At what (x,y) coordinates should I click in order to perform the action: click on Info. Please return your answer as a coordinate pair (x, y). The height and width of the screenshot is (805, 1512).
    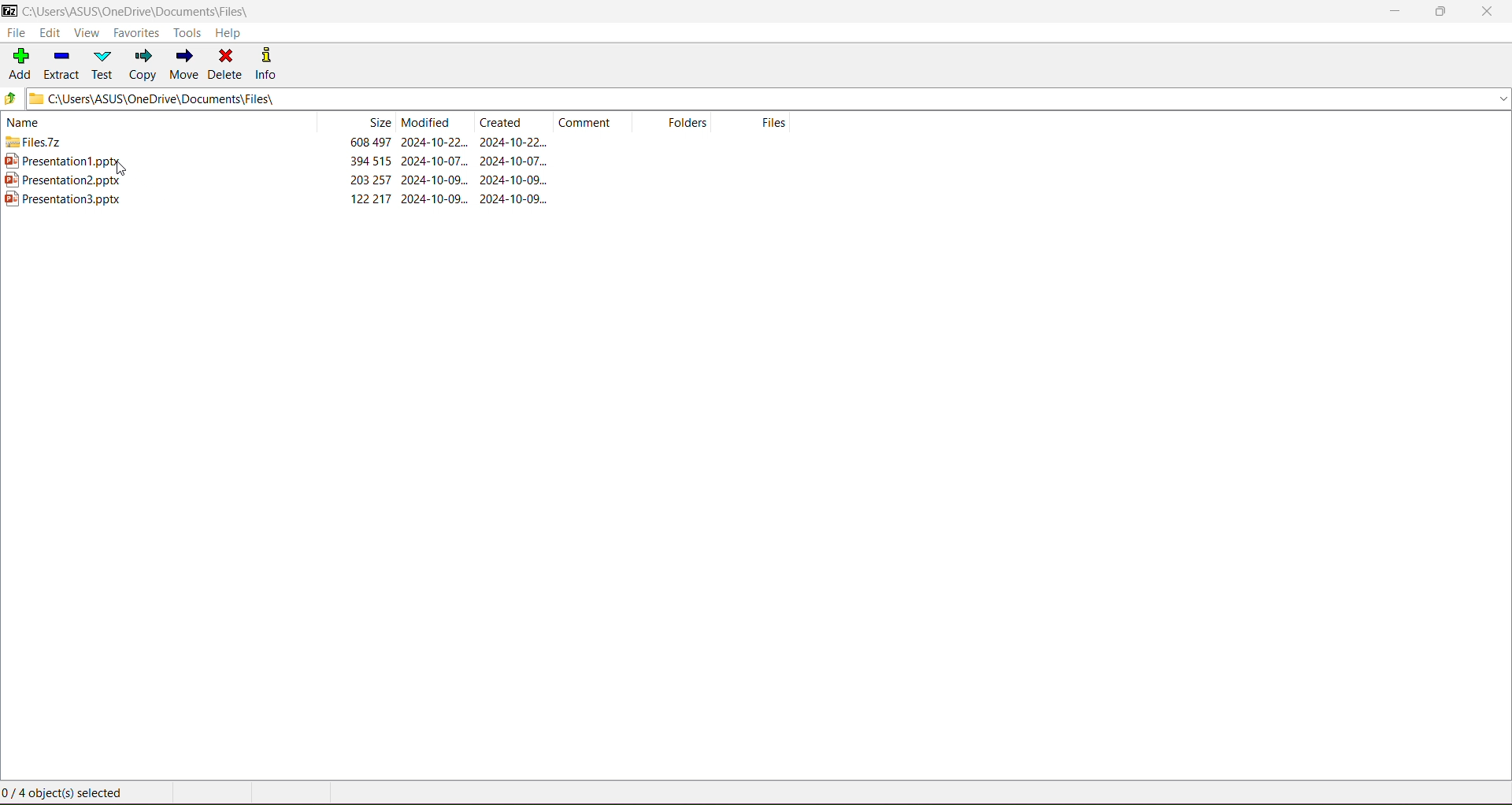
    Looking at the image, I should click on (271, 65).